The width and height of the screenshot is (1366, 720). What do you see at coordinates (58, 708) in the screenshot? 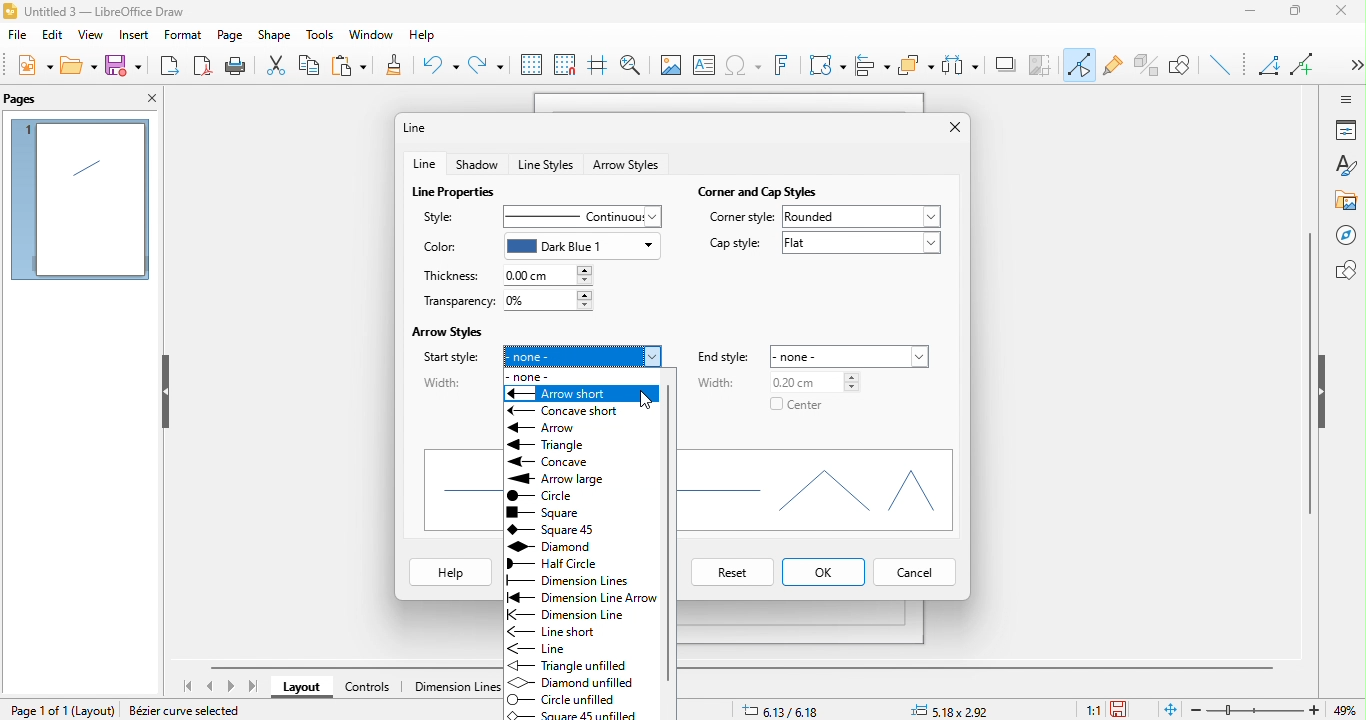
I see `page 1 of 1 (Layout)` at bounding box center [58, 708].